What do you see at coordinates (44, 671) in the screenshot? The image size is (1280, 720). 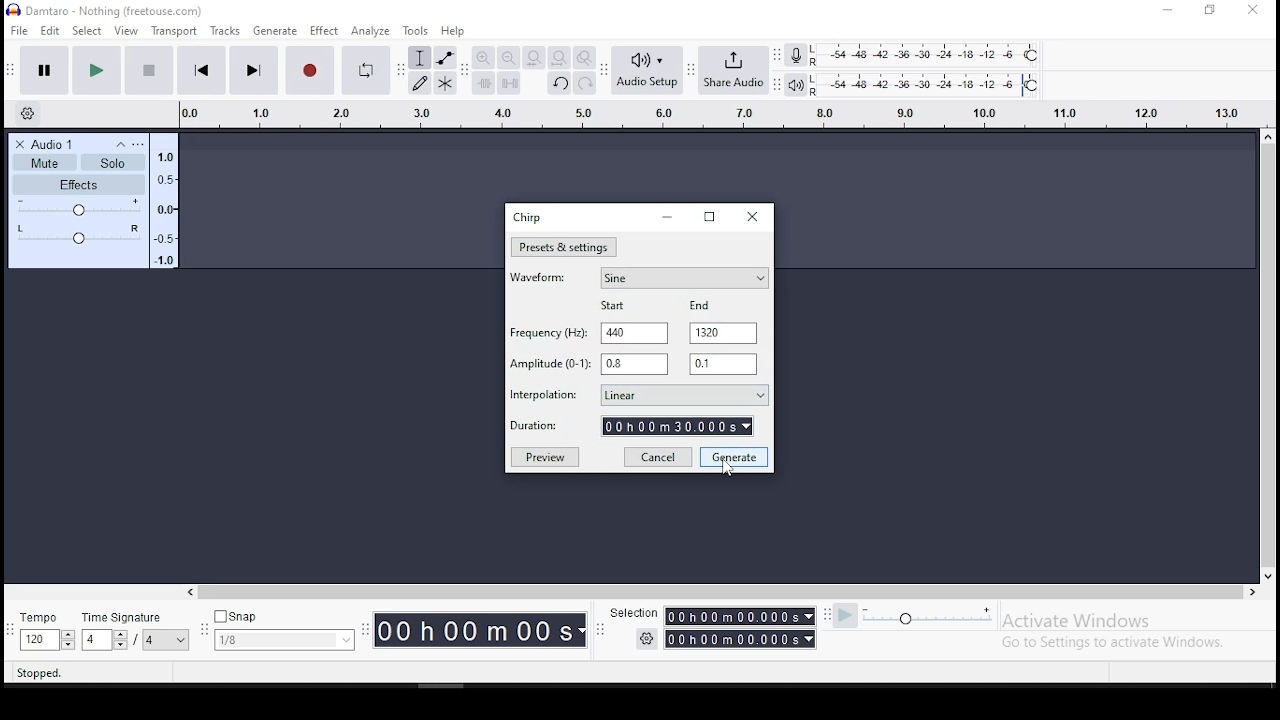 I see `stopped` at bounding box center [44, 671].